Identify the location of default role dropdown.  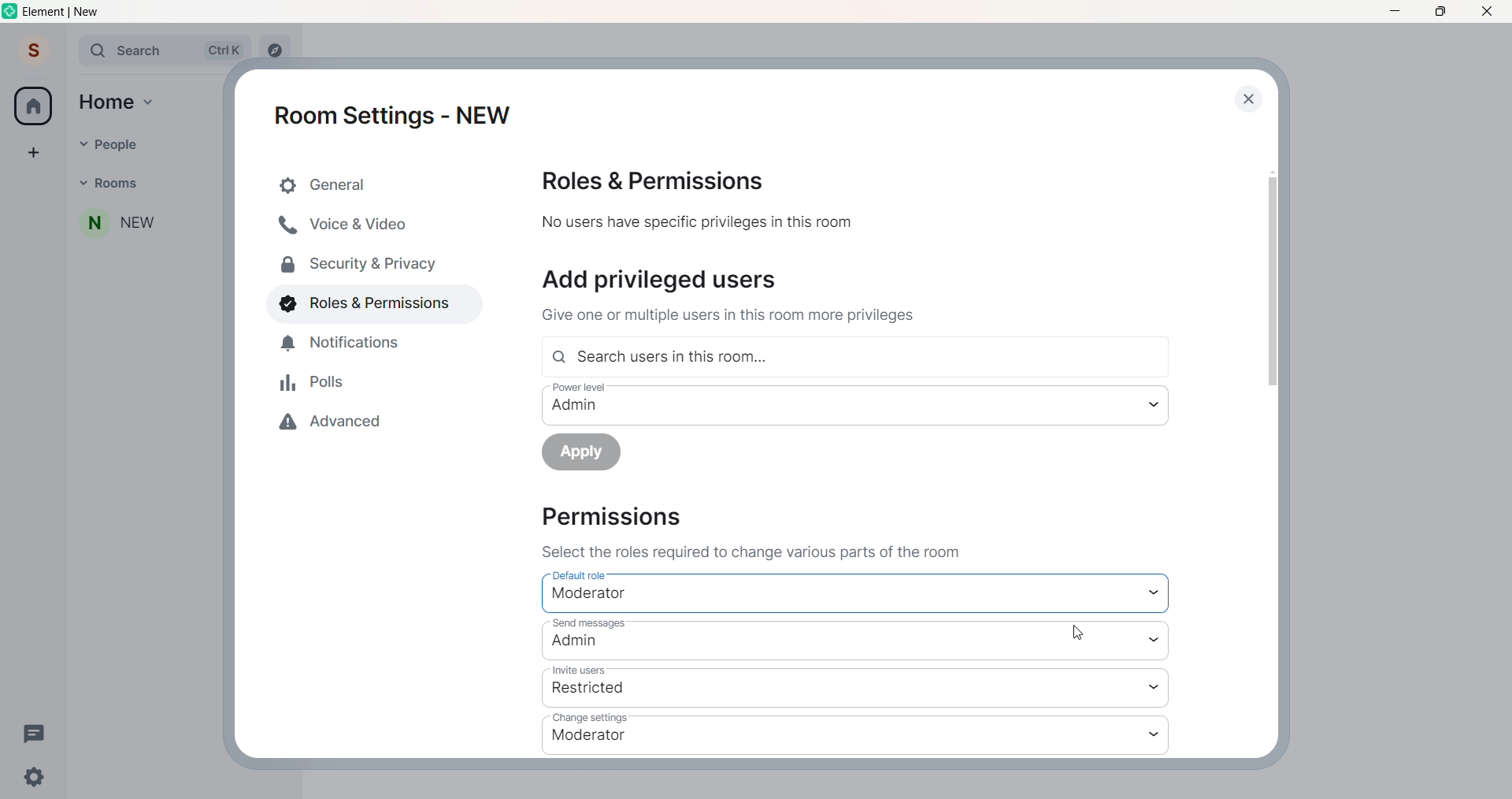
(1157, 593).